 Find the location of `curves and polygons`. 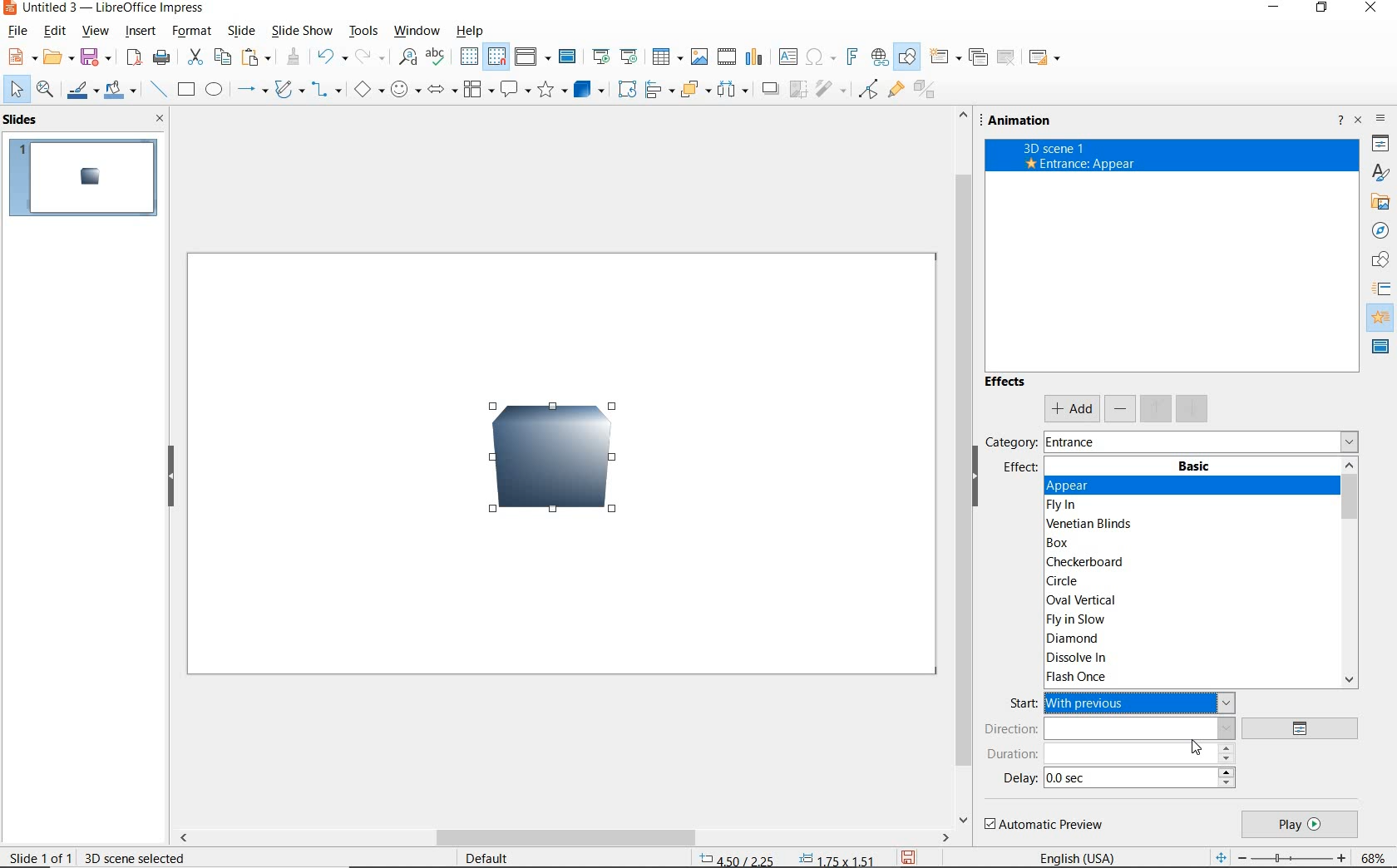

curves and polygons is located at coordinates (289, 91).